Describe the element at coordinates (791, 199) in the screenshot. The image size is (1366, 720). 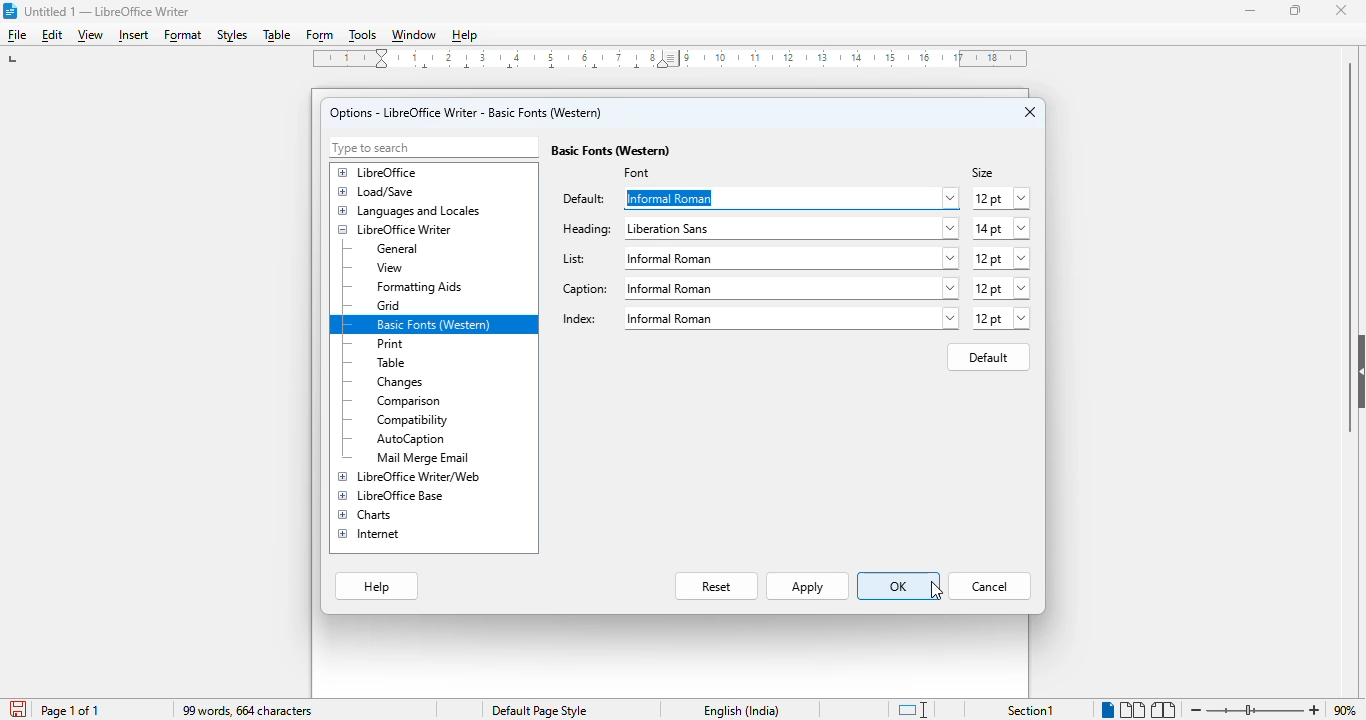
I see `Informal Roman` at that location.